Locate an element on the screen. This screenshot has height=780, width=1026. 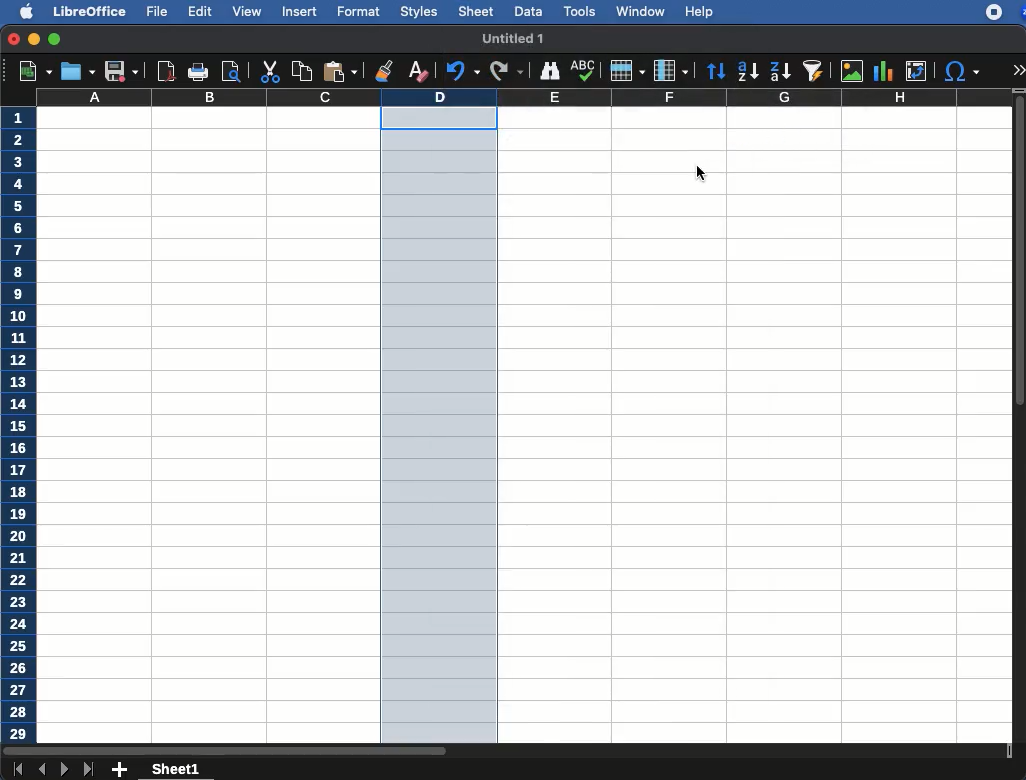
scroll is located at coordinates (1020, 424).